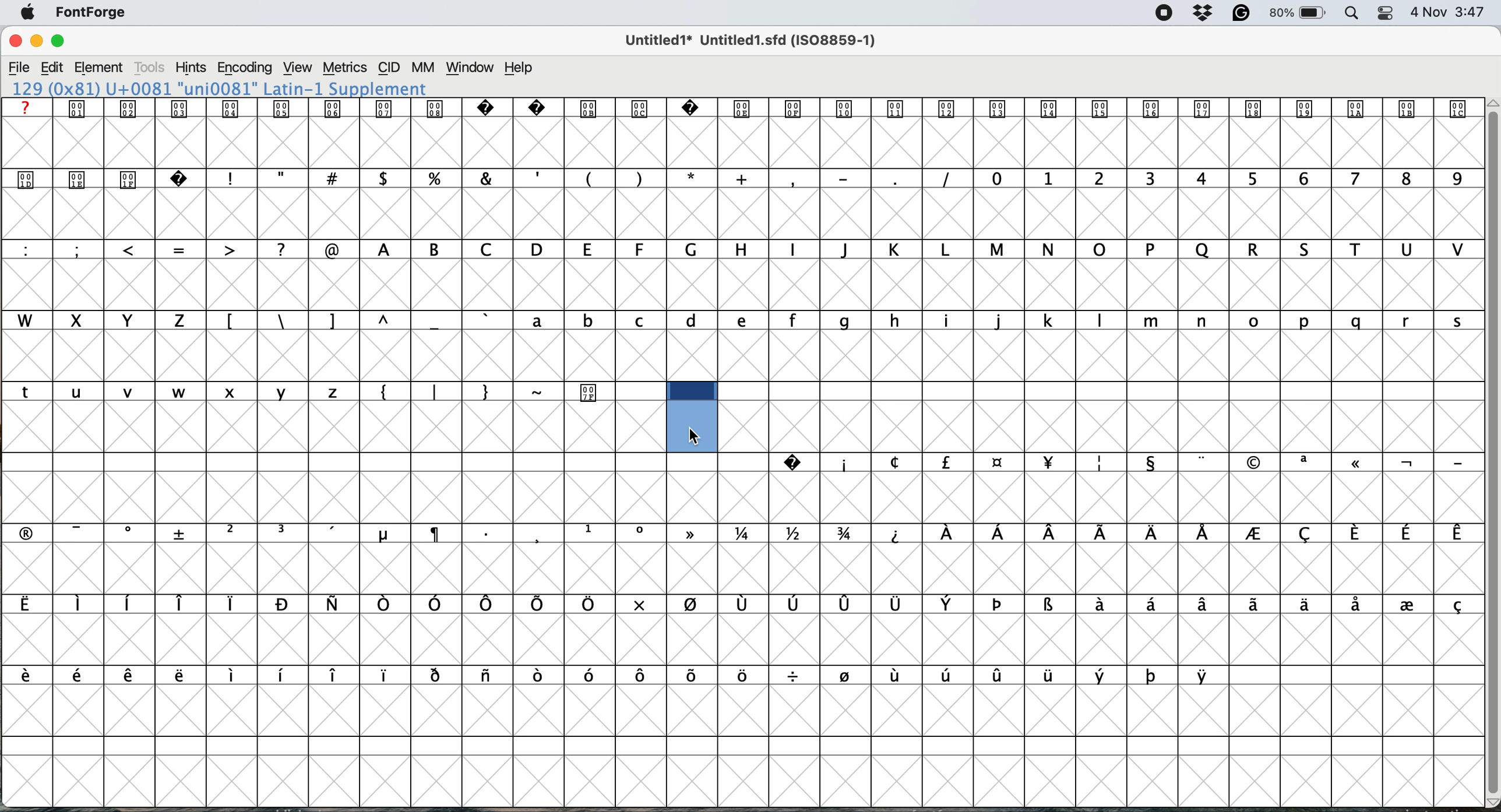 This screenshot has width=1501, height=812. Describe the element at coordinates (151, 67) in the screenshot. I see `Tools` at that location.